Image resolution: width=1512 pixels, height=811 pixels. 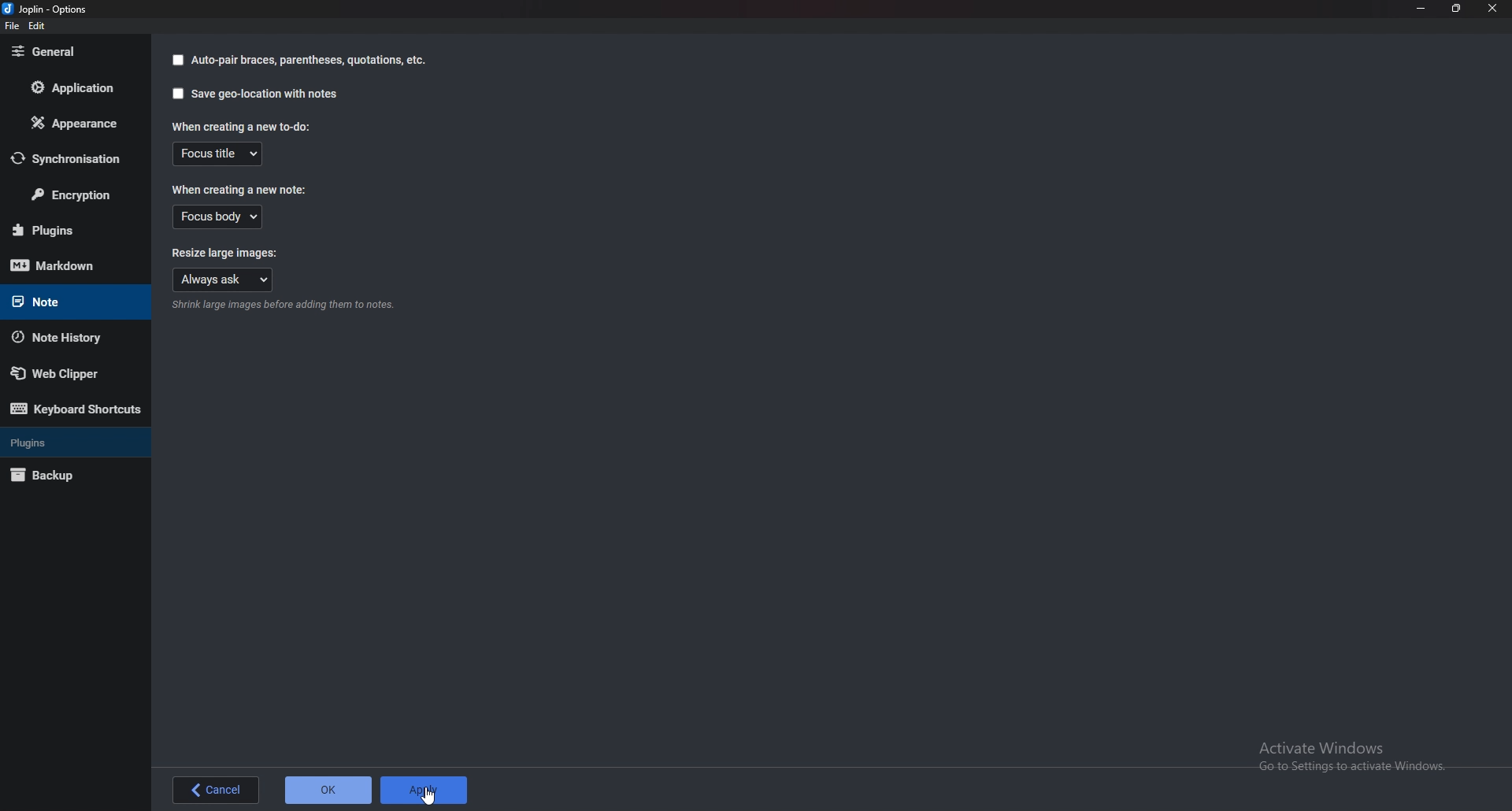 What do you see at coordinates (432, 795) in the screenshot?
I see `Cursor` at bounding box center [432, 795].